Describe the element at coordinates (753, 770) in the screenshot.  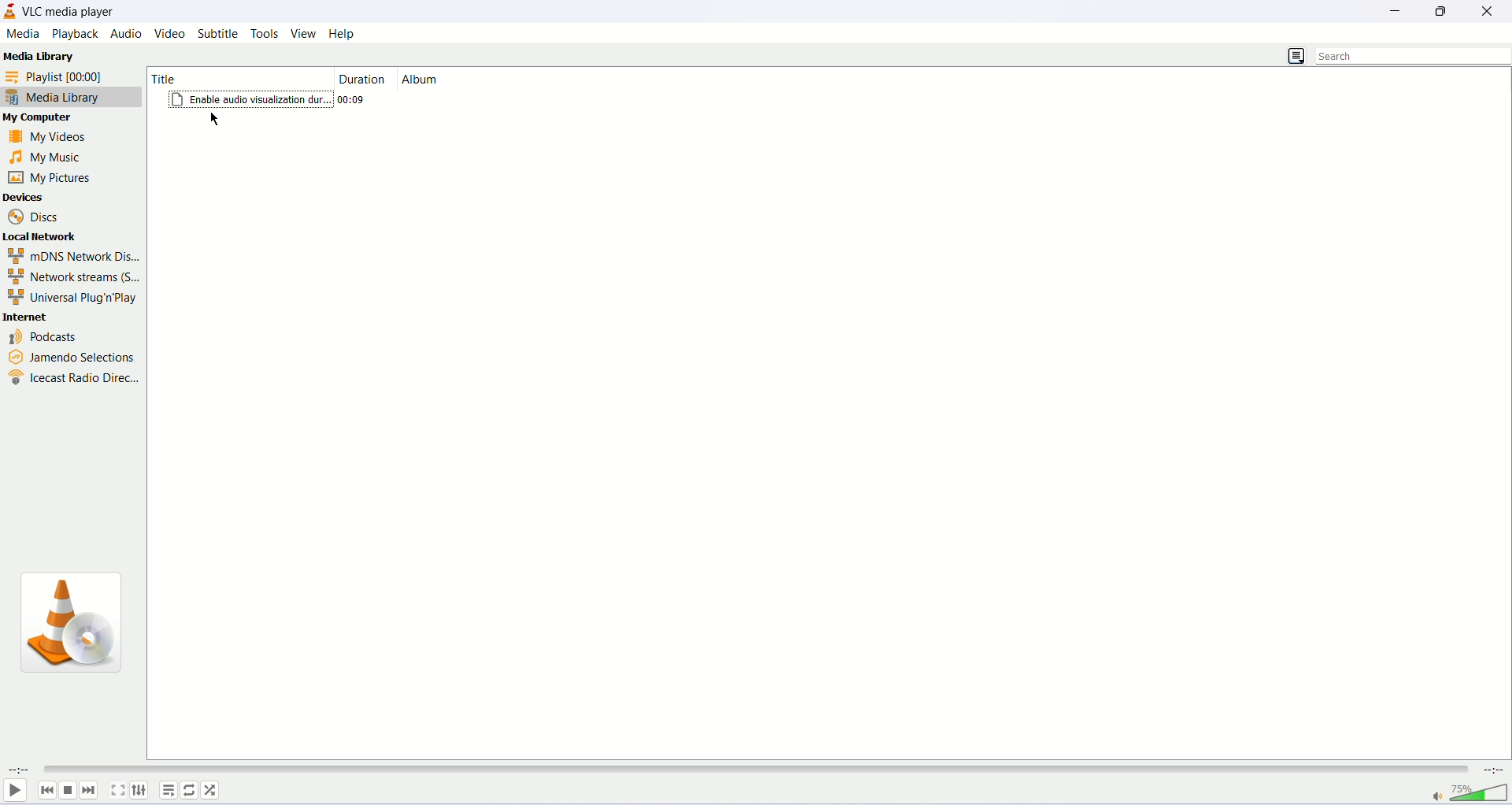
I see `progress bar` at that location.